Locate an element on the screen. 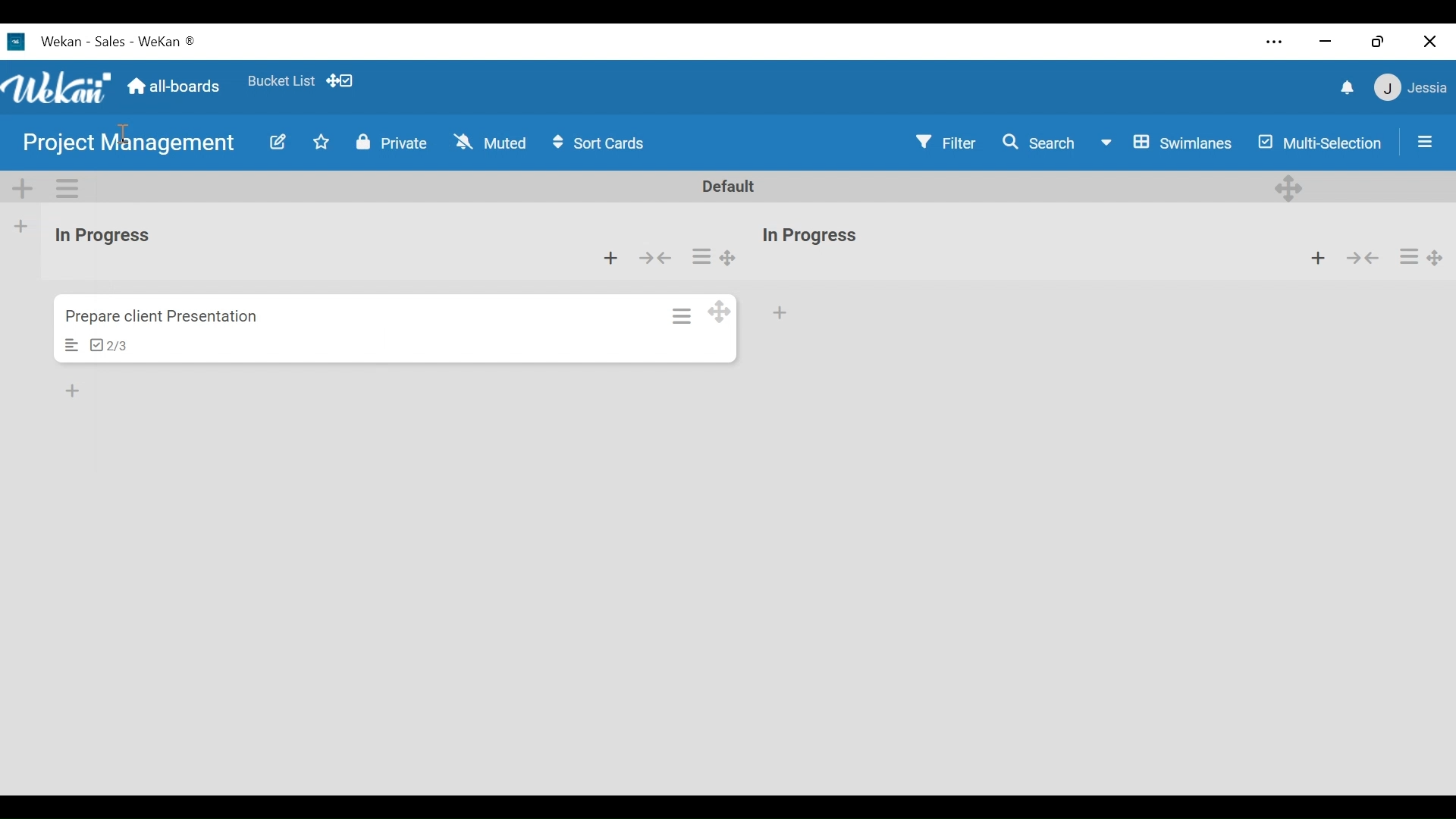  Toggle Favorites is located at coordinates (326, 146).